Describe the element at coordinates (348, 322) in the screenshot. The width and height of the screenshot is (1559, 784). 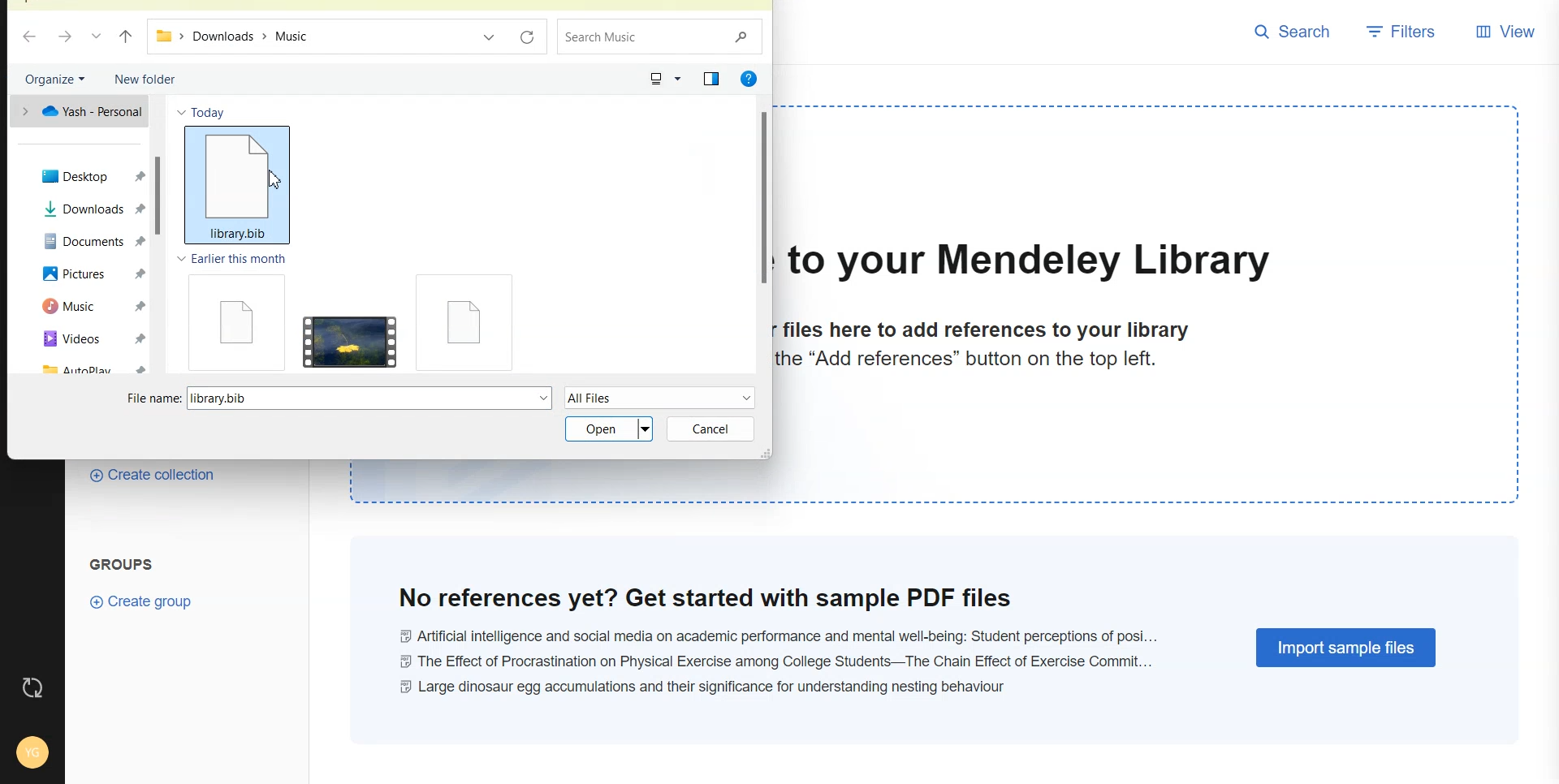
I see `Video File` at that location.